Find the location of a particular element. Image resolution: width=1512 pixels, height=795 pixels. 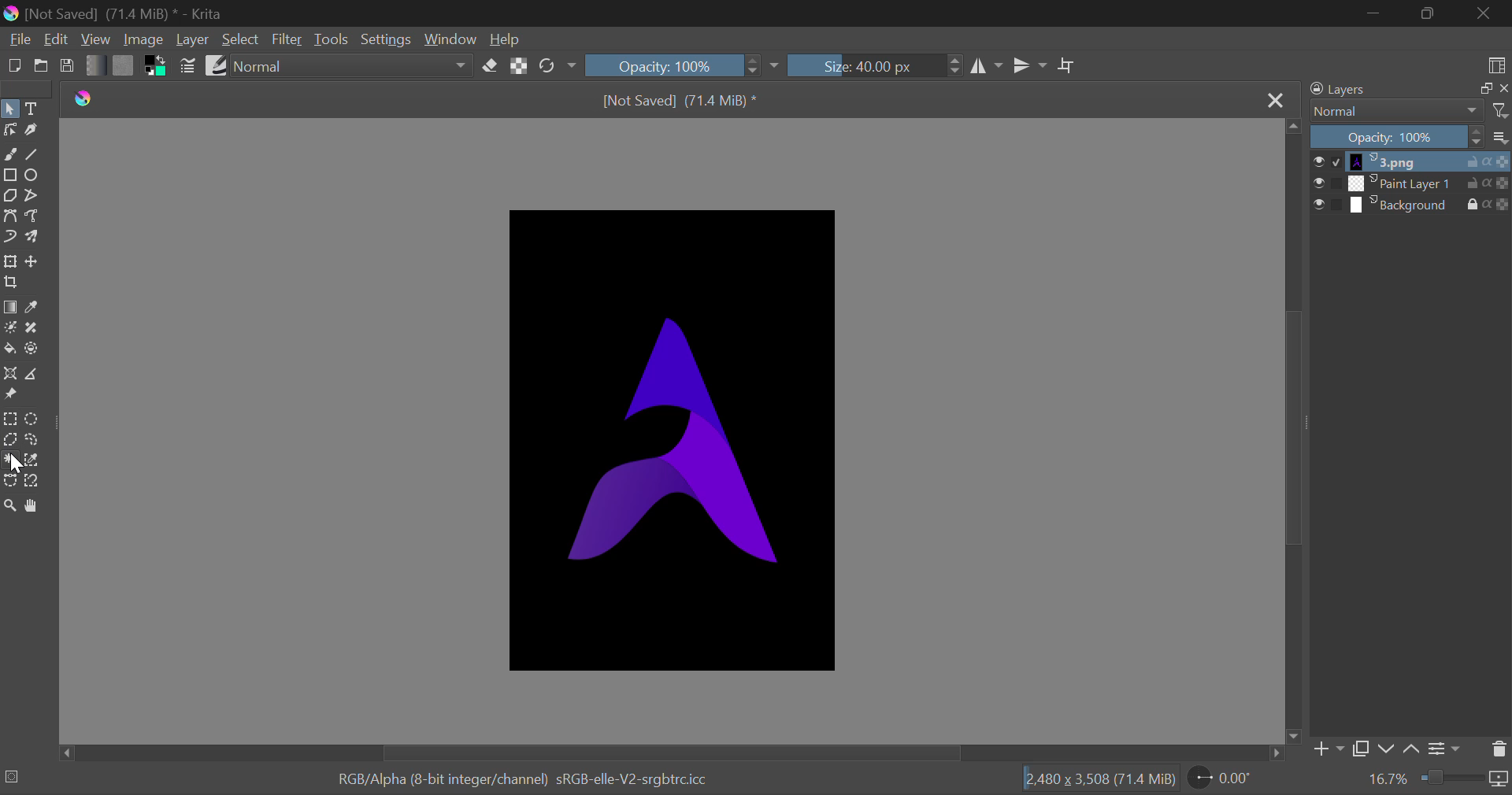

Colorize Mask Tool is located at coordinates (11, 329).